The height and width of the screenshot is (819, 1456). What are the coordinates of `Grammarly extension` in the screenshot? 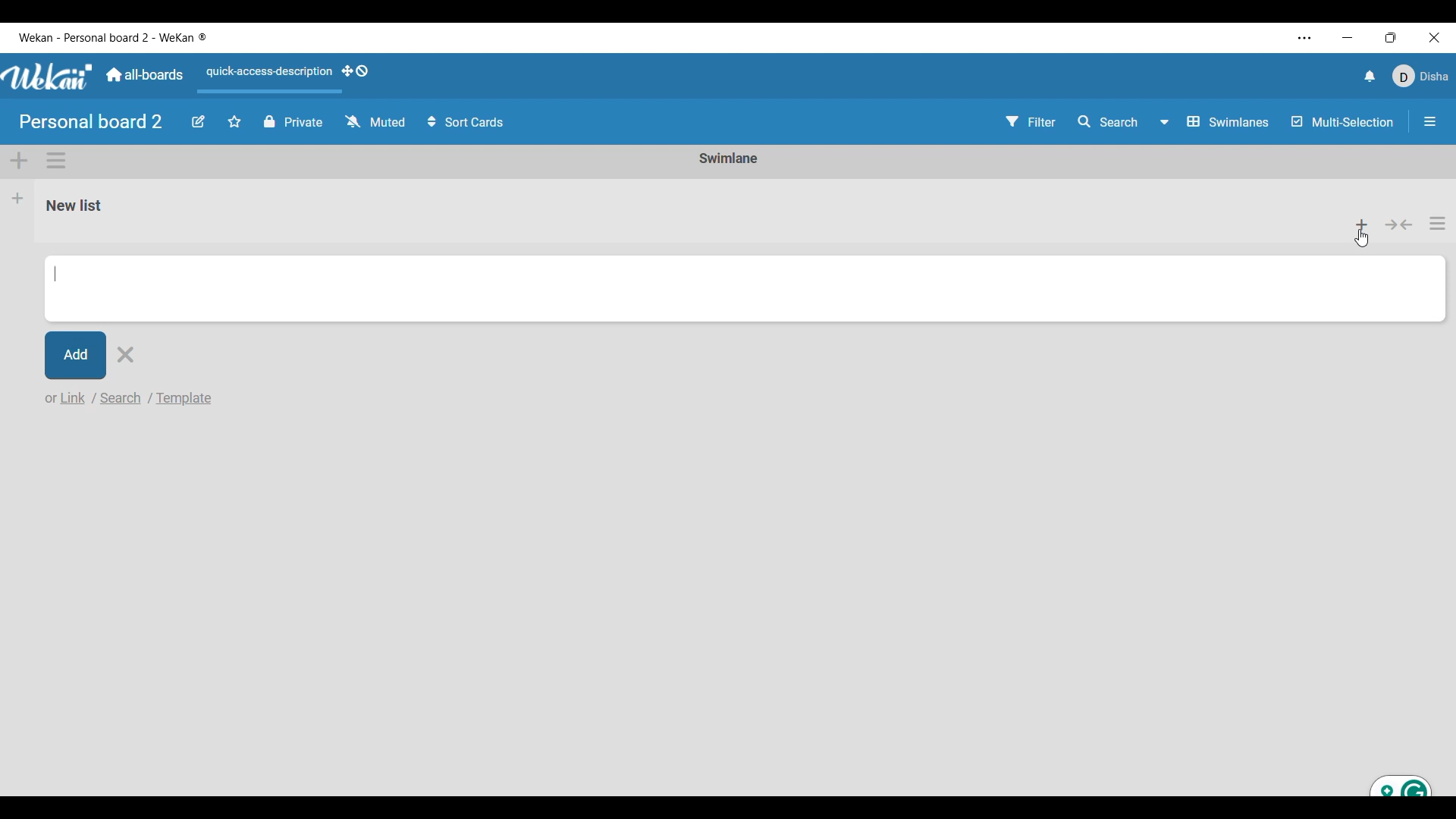 It's located at (1401, 786).